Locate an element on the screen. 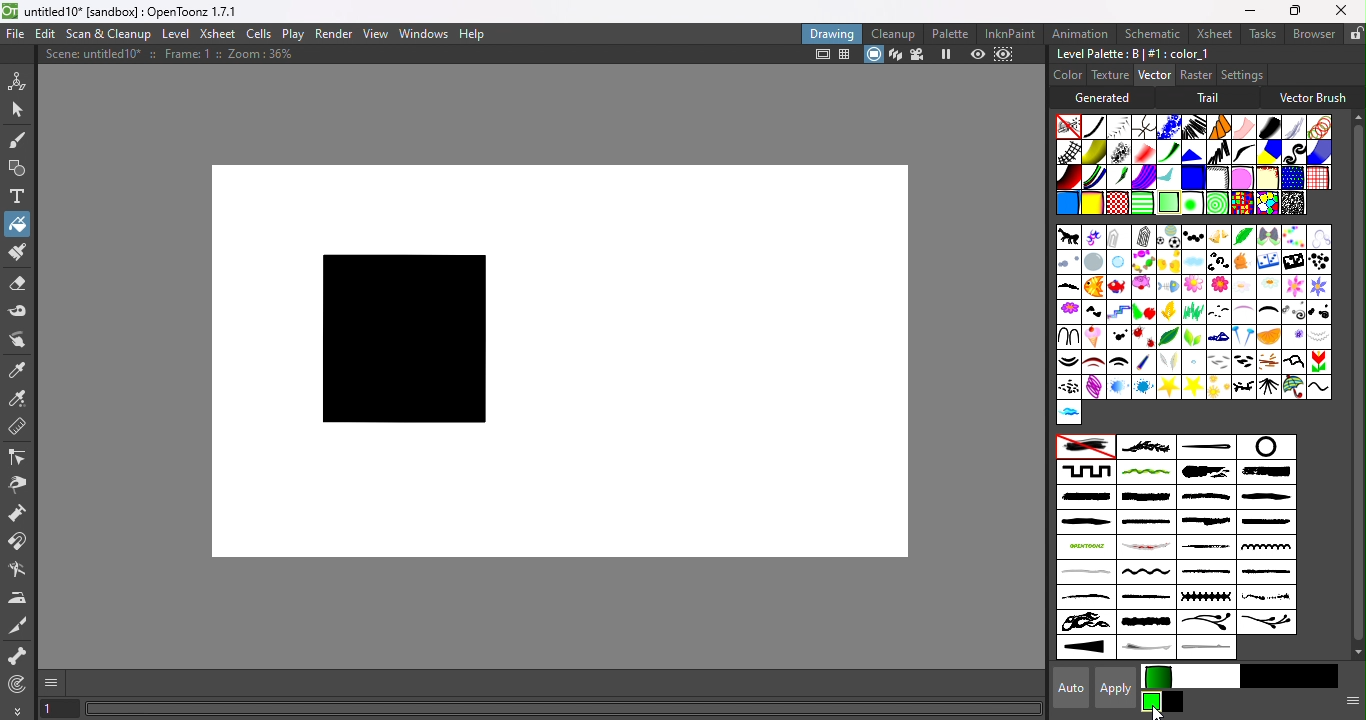 The height and width of the screenshot is (720, 1366). Dog is located at coordinates (1243, 263).